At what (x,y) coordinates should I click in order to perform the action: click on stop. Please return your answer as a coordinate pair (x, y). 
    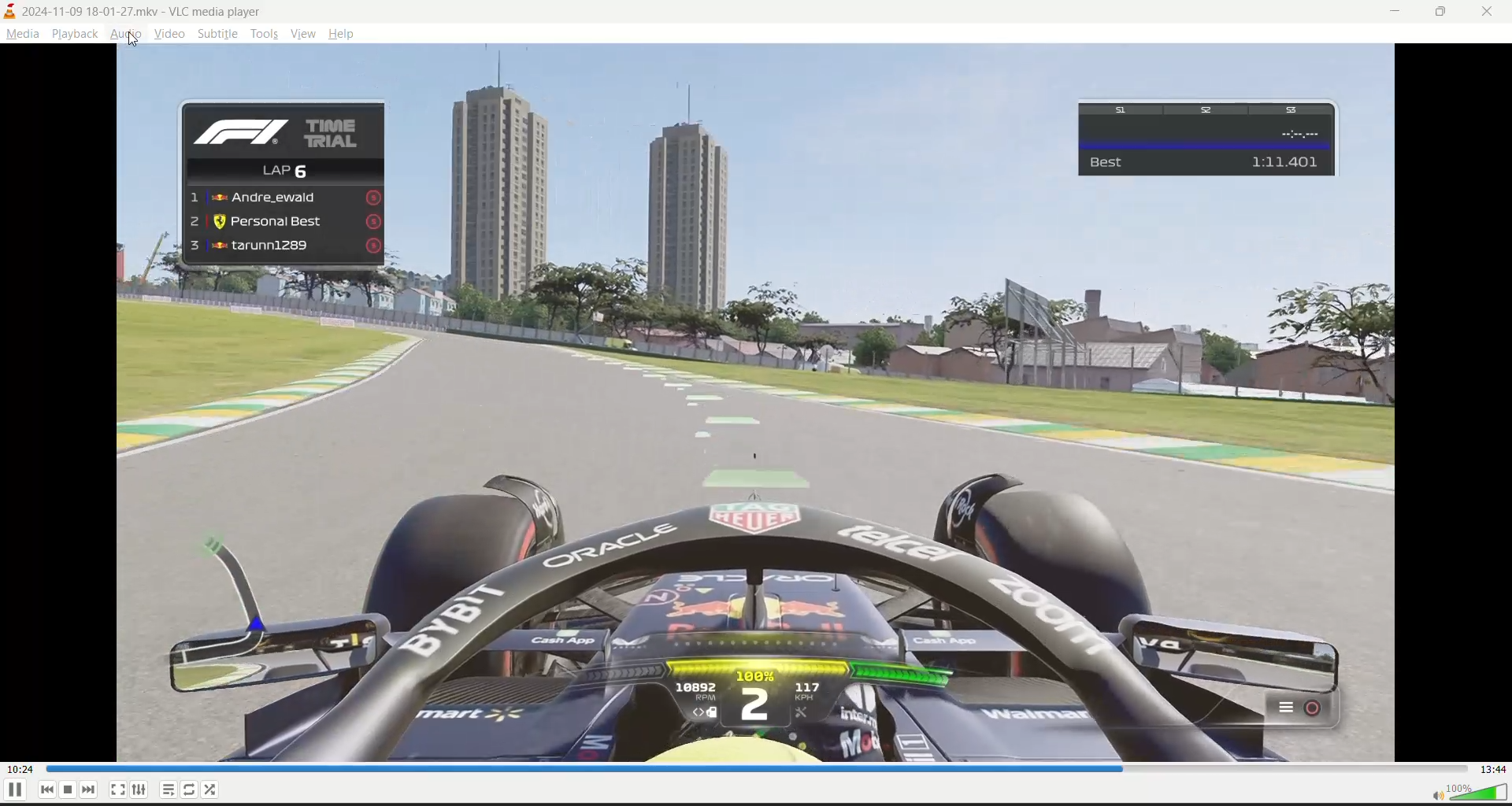
    Looking at the image, I should click on (65, 790).